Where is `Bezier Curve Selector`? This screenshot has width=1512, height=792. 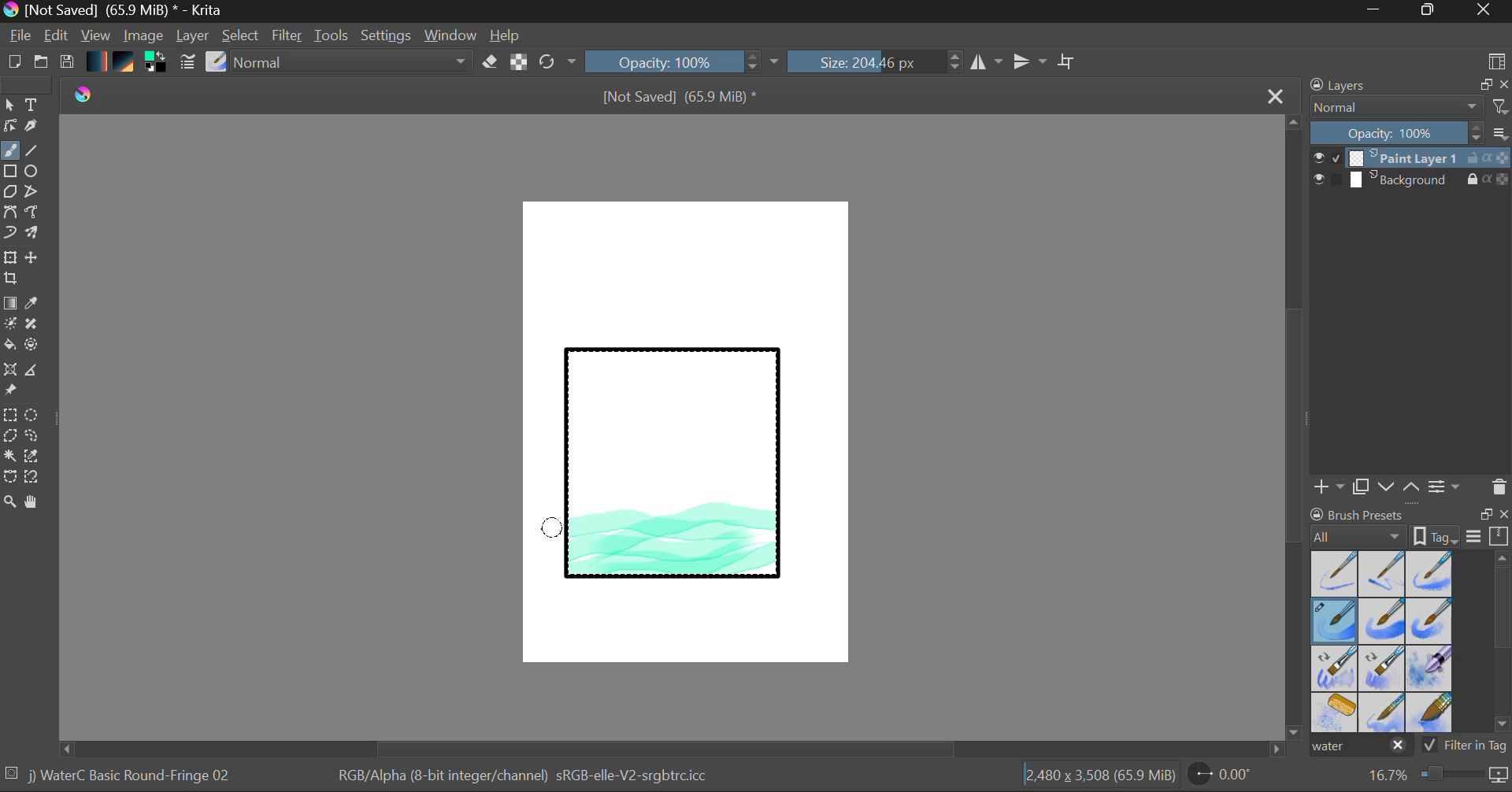
Bezier Curve Selector is located at coordinates (9, 478).